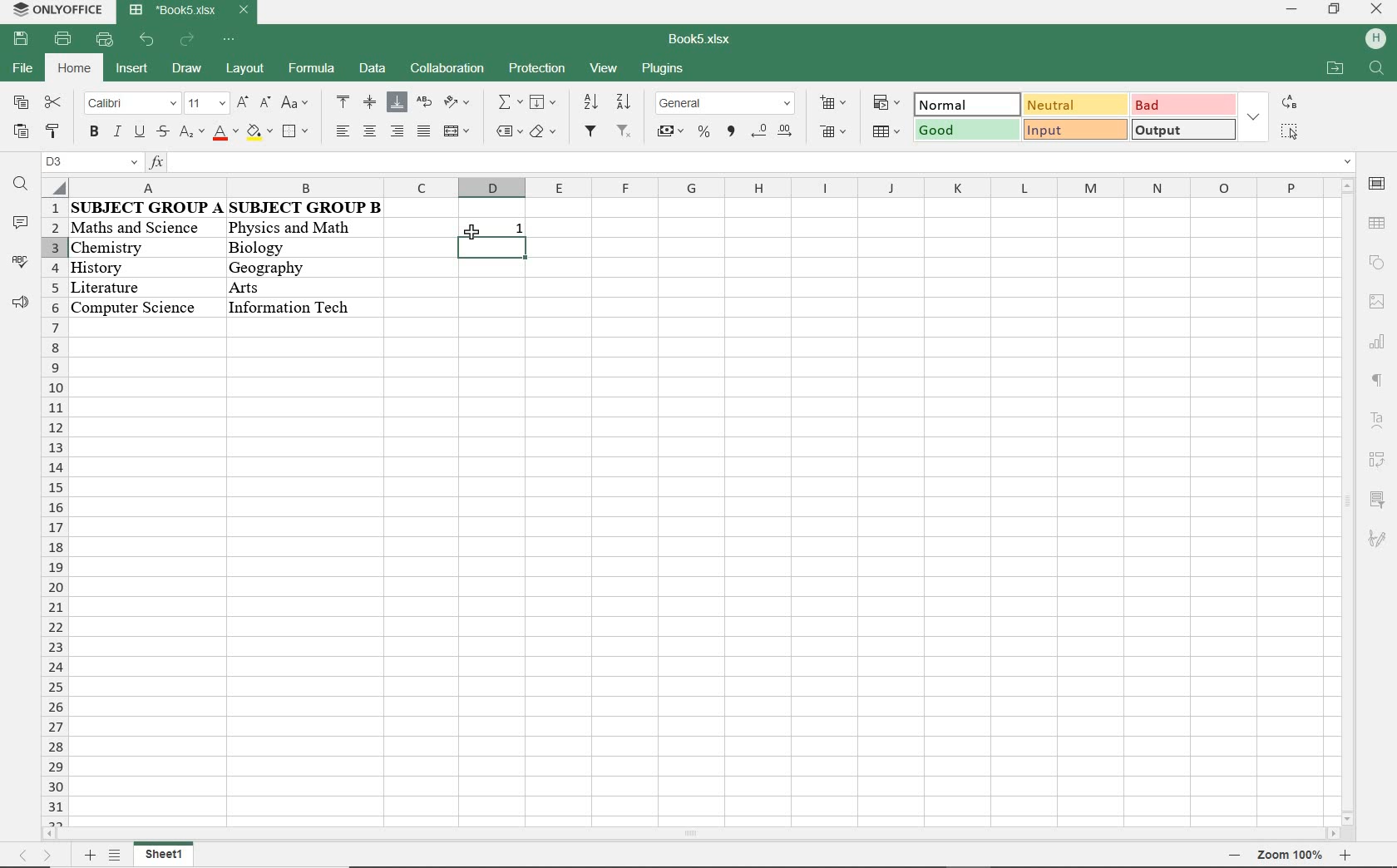  Describe the element at coordinates (732, 131) in the screenshot. I see `comma style` at that location.